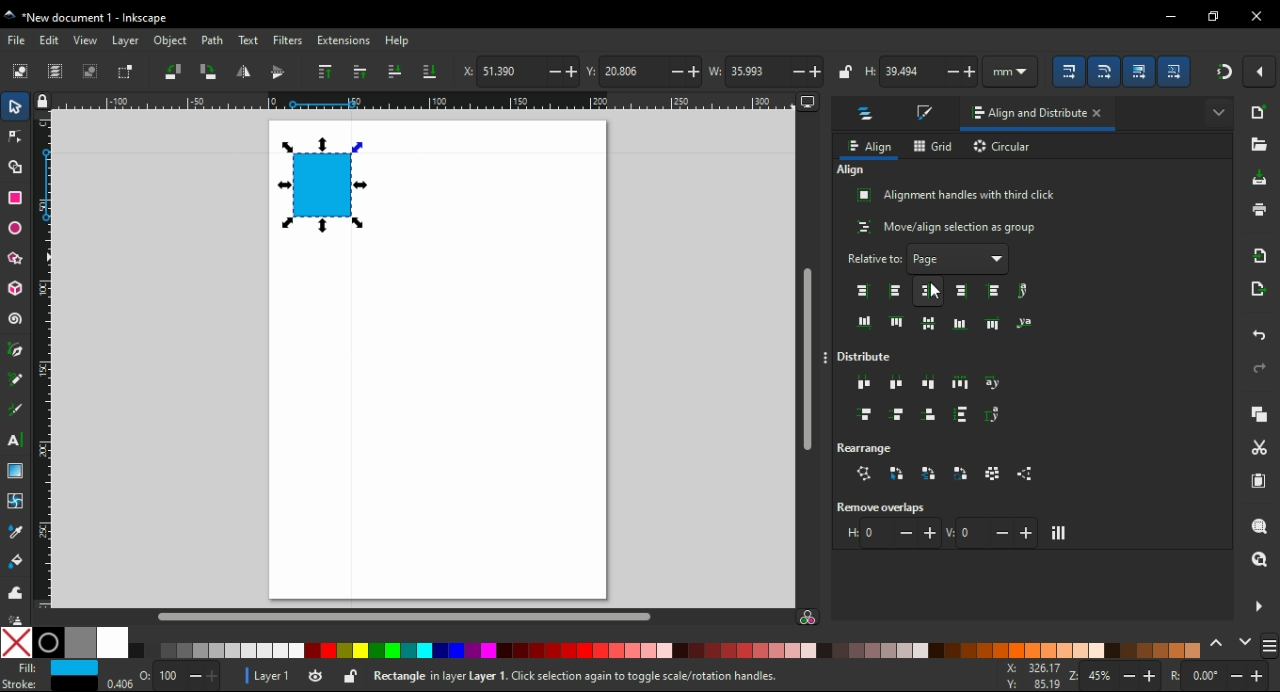 The height and width of the screenshot is (692, 1280). Describe the element at coordinates (927, 114) in the screenshot. I see `fill and stroke` at that location.